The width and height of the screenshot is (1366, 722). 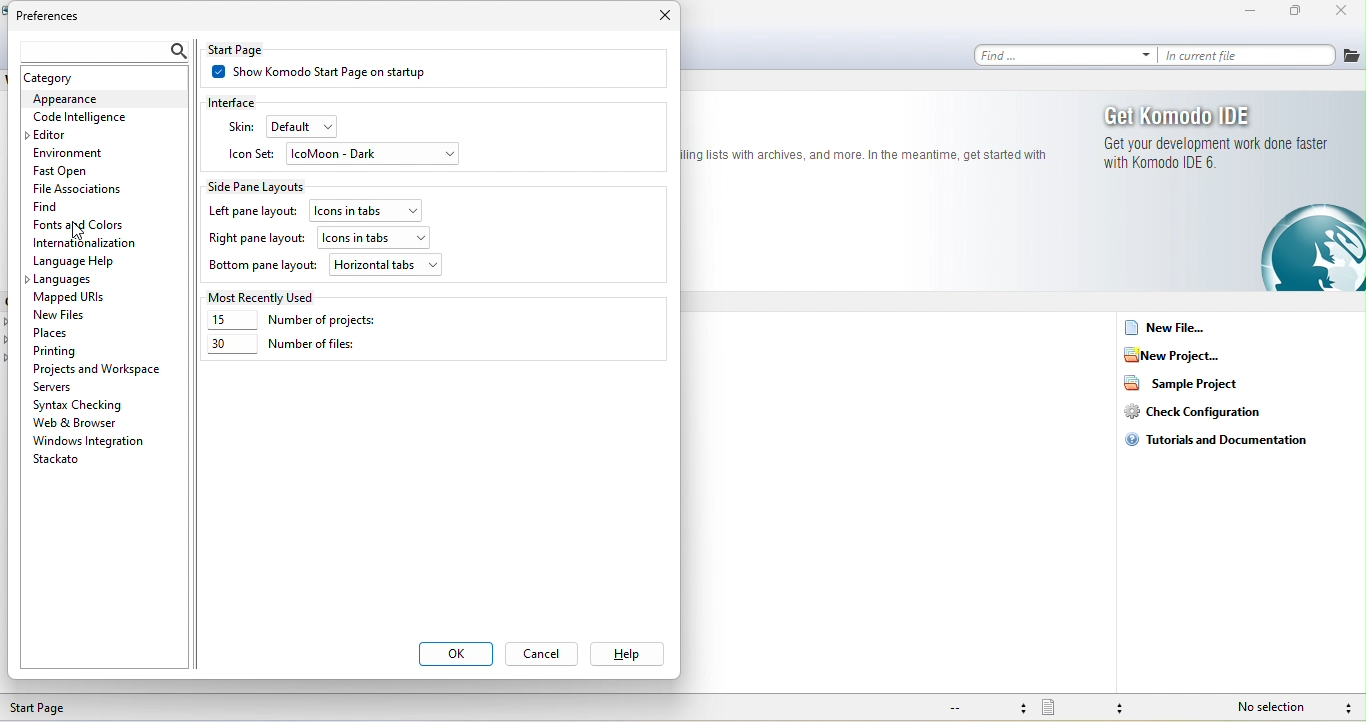 I want to click on show komodo start page on startup, so click(x=333, y=72).